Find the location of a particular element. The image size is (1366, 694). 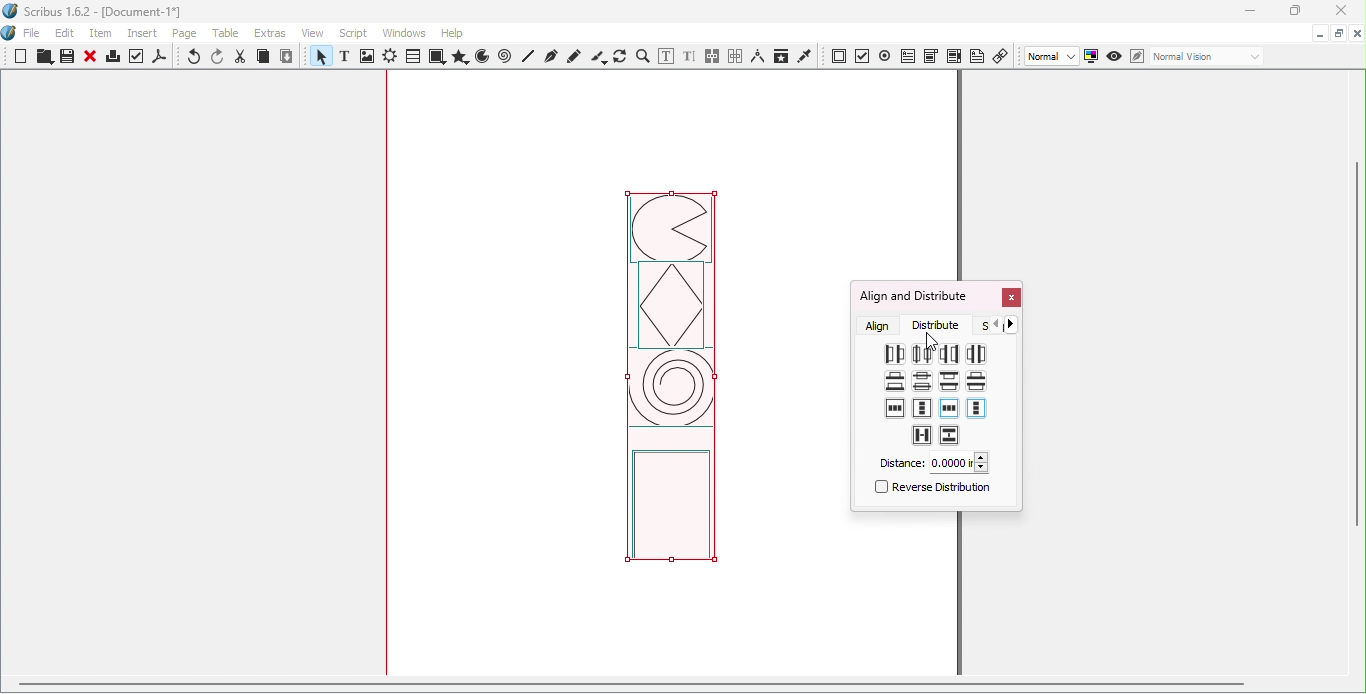

Measurements is located at coordinates (757, 56).